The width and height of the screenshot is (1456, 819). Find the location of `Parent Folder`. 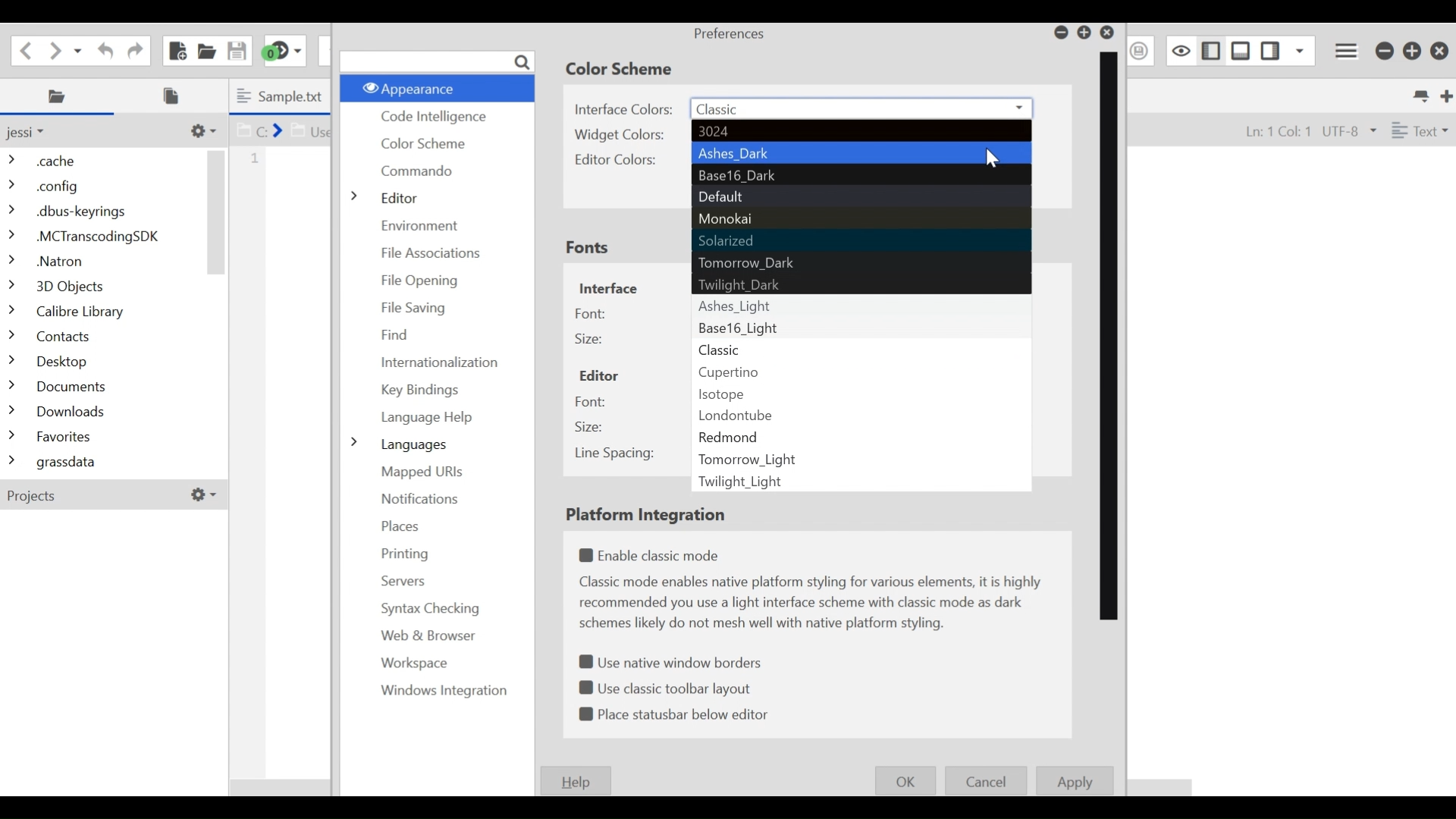

Parent Folder is located at coordinates (34, 132).